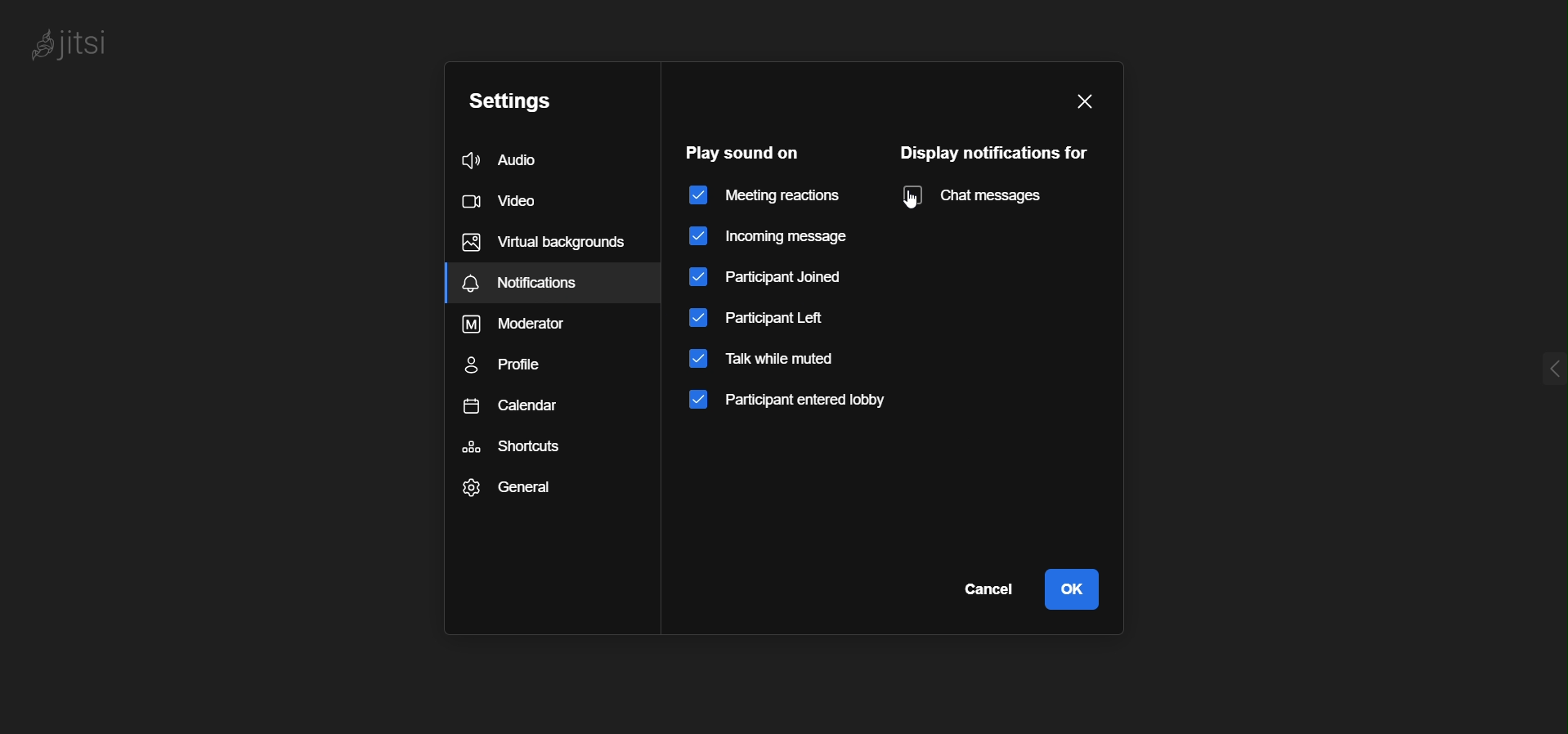 The width and height of the screenshot is (1568, 734). Describe the element at coordinates (746, 153) in the screenshot. I see `play sound on` at that location.